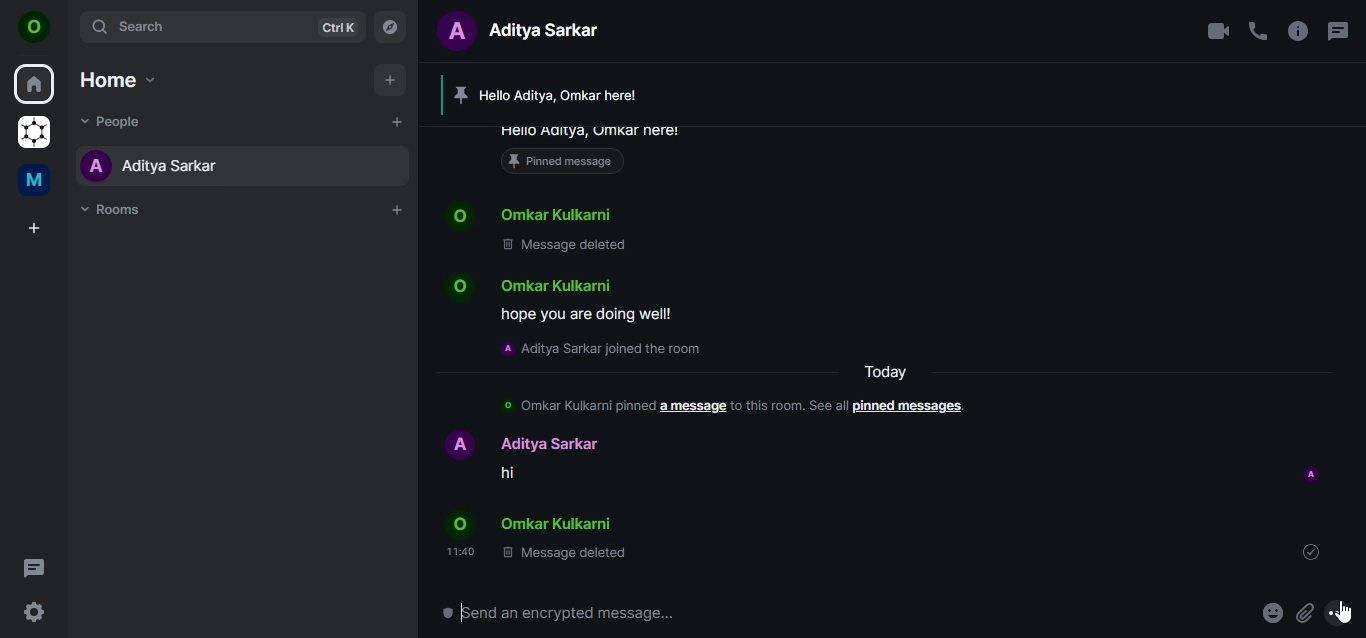 The height and width of the screenshot is (638, 1366). What do you see at coordinates (1344, 613) in the screenshot?
I see `more options` at bounding box center [1344, 613].